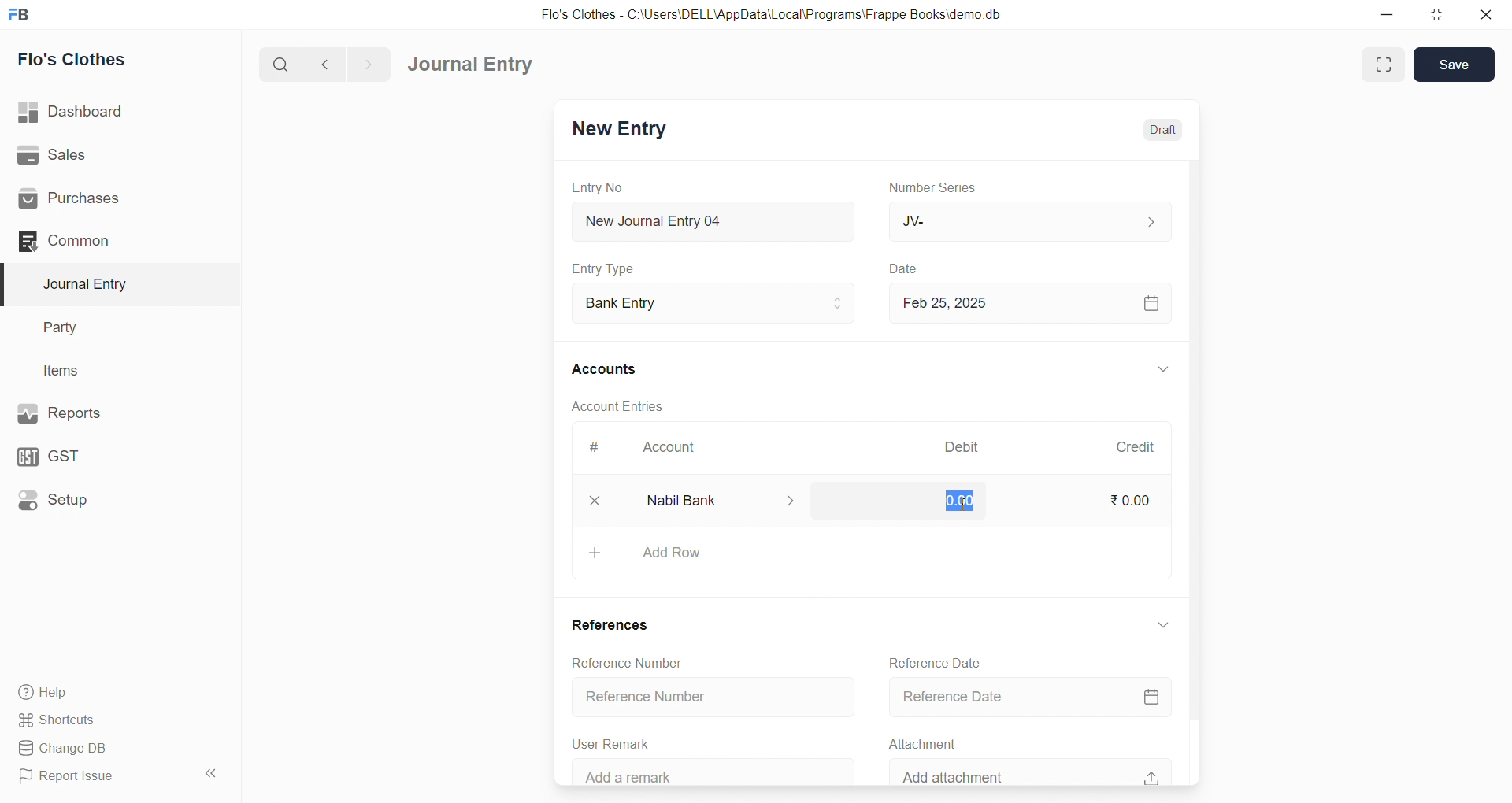  I want to click on Add a remark, so click(699, 772).